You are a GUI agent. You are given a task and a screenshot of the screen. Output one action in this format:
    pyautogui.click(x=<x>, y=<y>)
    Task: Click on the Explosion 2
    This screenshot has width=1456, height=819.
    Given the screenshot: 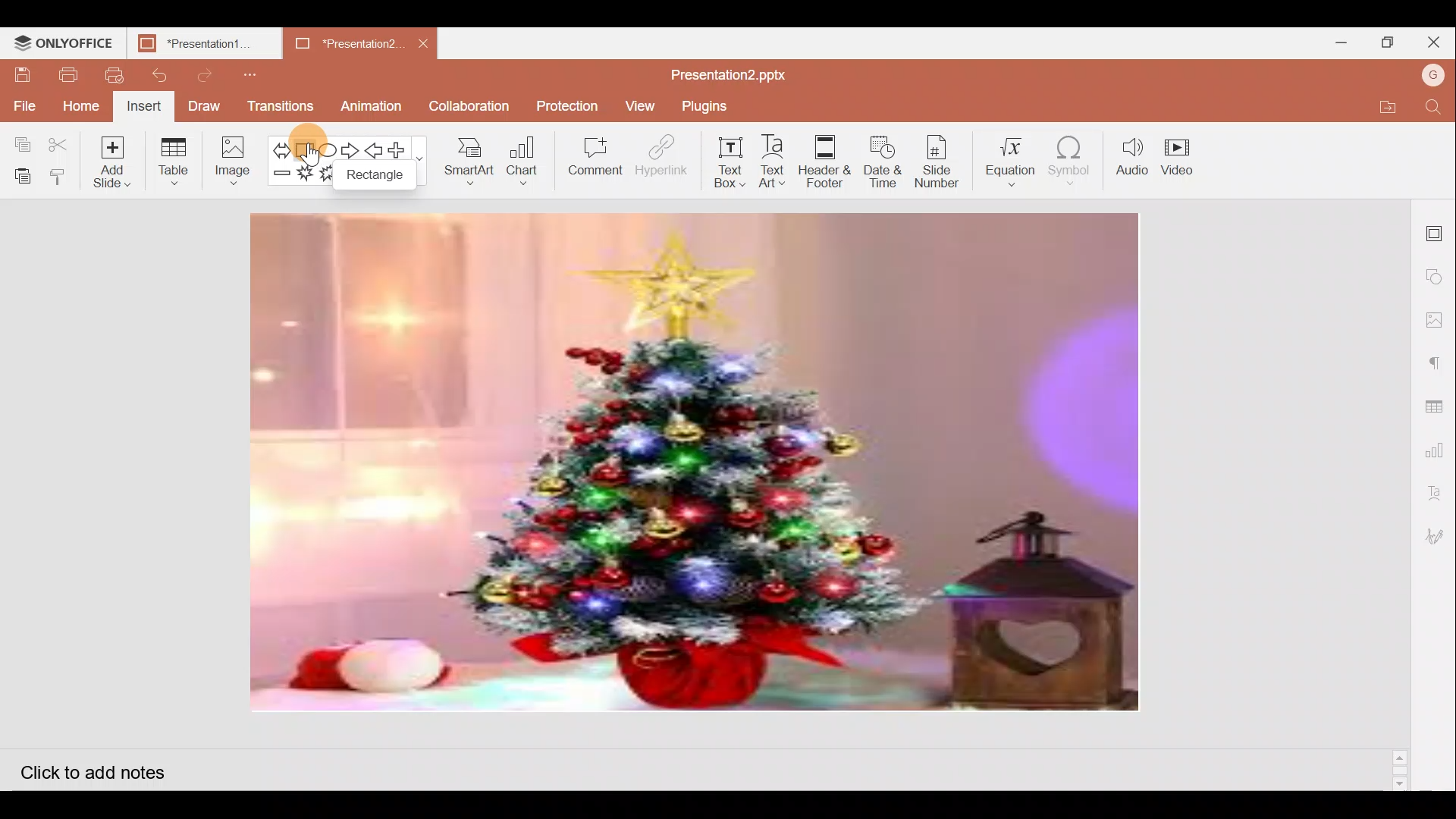 What is the action you would take?
    pyautogui.click(x=328, y=178)
    